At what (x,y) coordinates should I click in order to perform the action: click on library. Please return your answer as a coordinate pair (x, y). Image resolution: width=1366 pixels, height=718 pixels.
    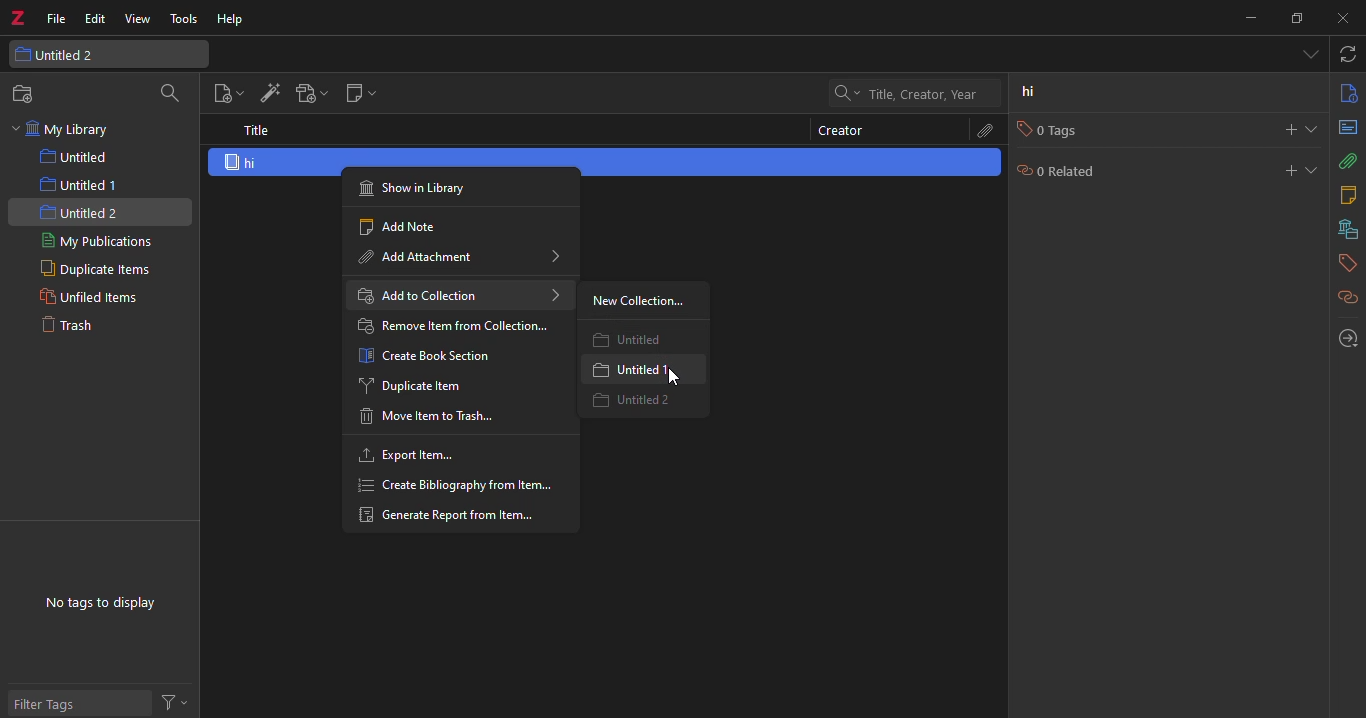
    Looking at the image, I should click on (1344, 230).